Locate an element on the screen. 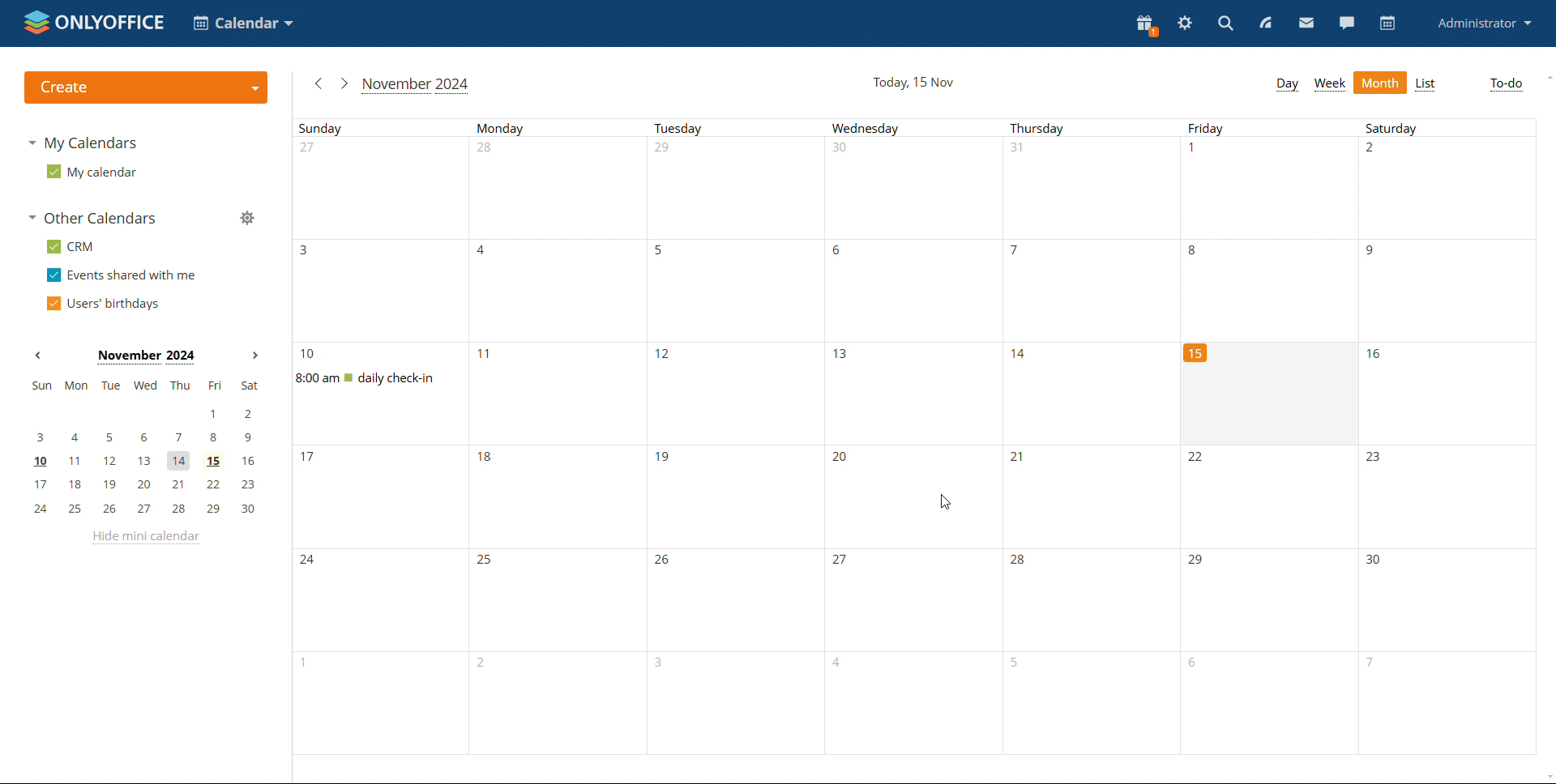 The image size is (1556, 784). Number is located at coordinates (1191, 252).